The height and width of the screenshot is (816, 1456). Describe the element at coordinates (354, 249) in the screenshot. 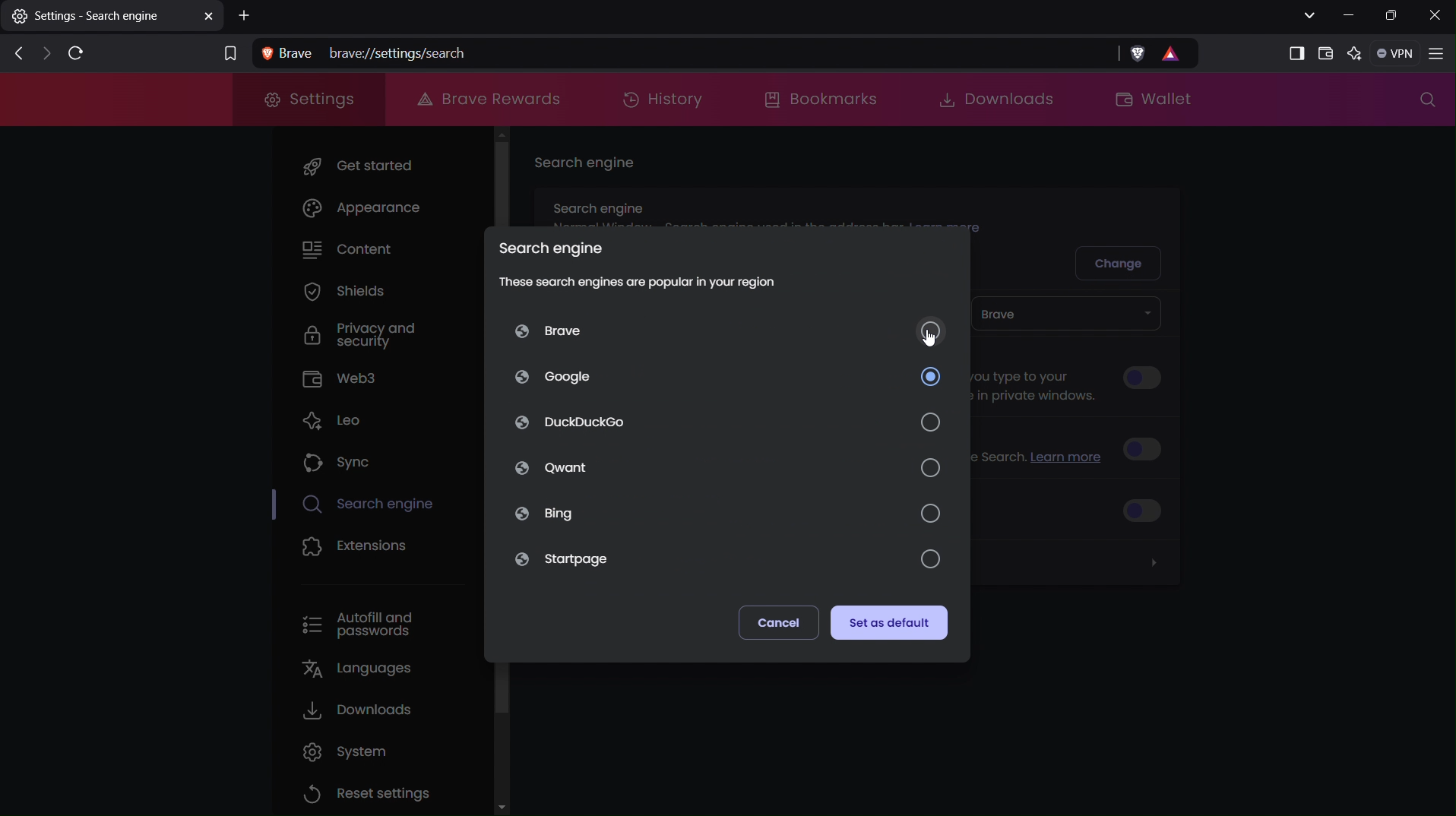

I see `Content` at that location.